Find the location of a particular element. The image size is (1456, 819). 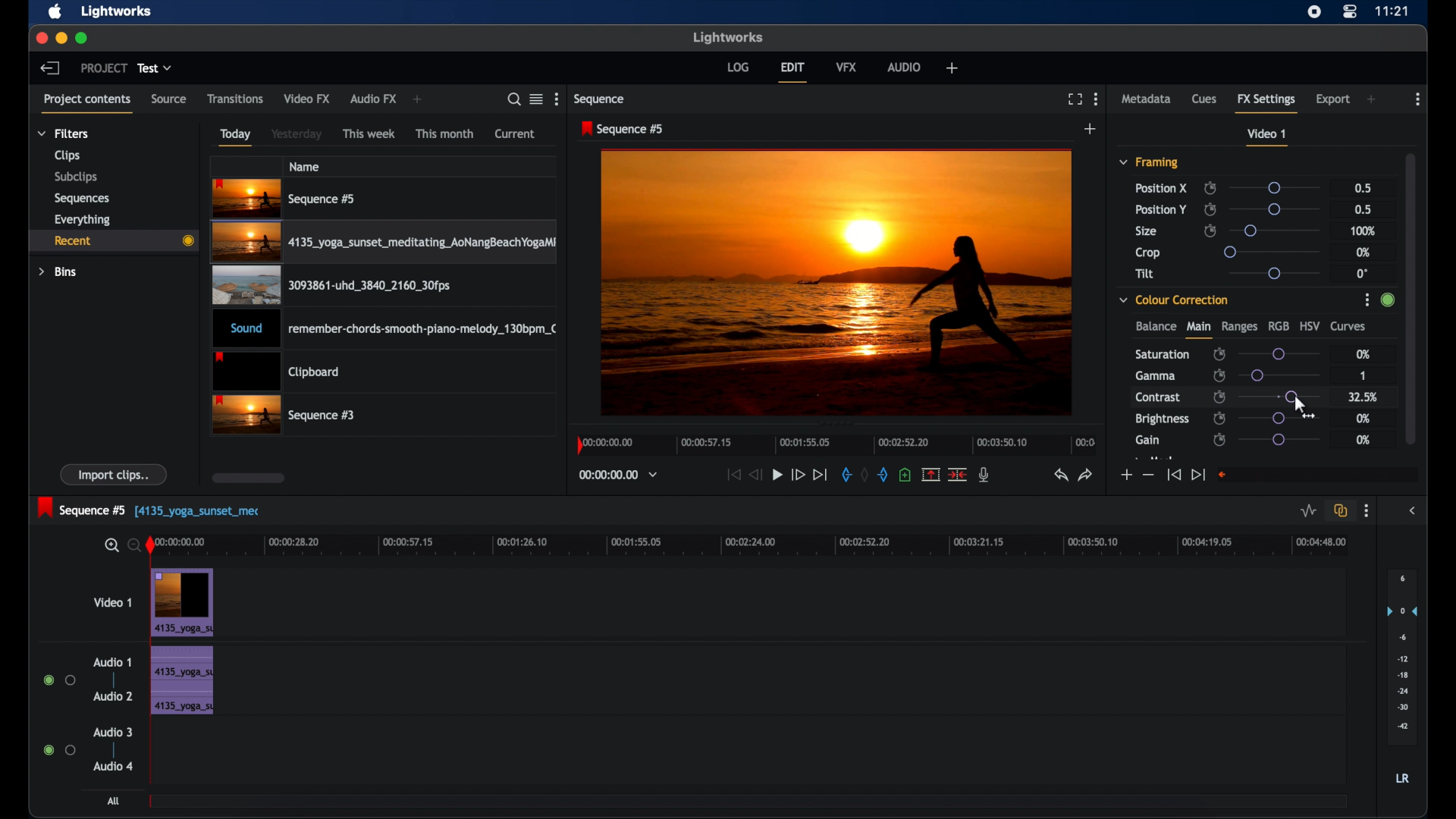

timeline is located at coordinates (837, 444).